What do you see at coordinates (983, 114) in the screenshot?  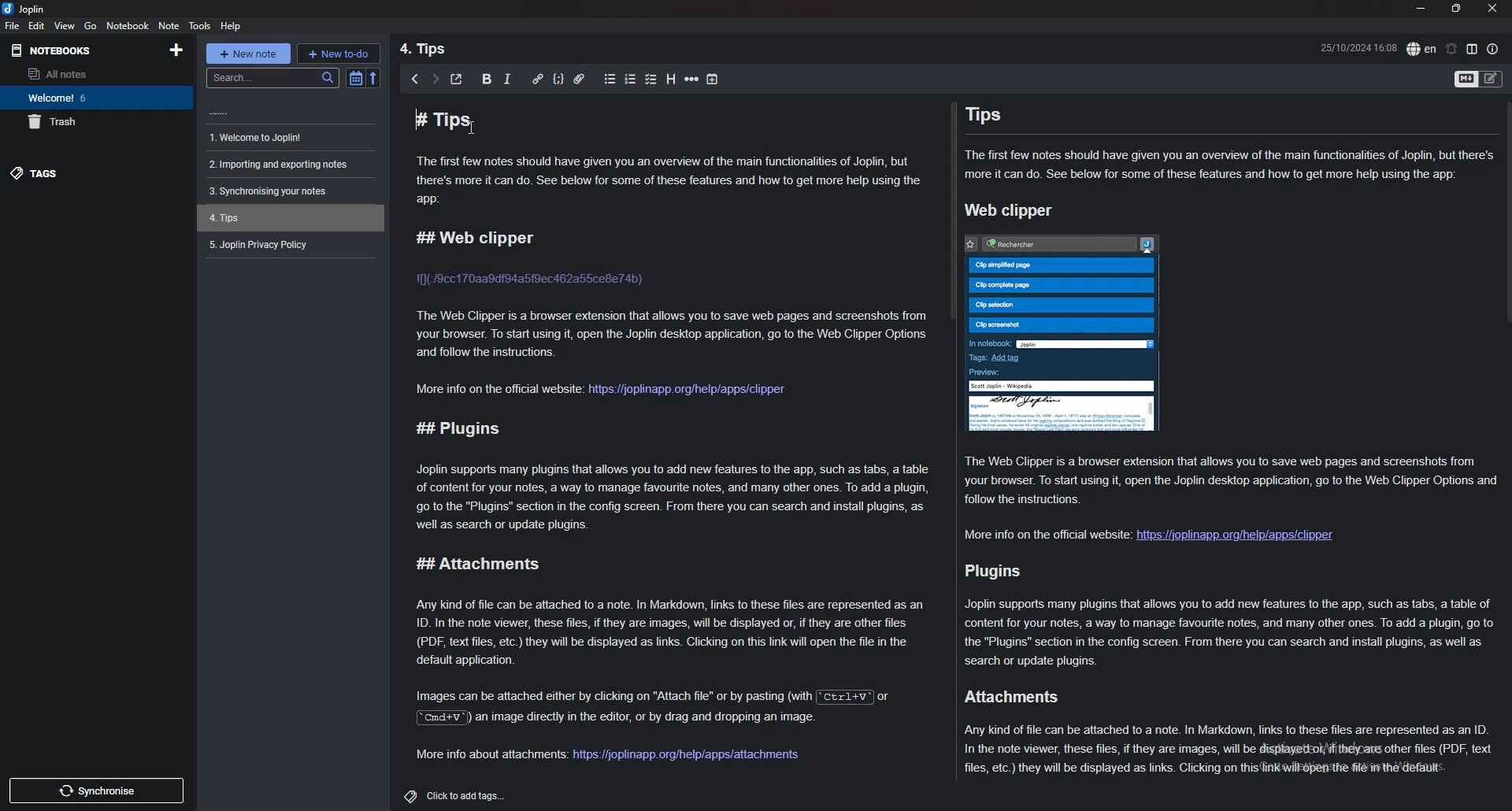 I see `Tips` at bounding box center [983, 114].